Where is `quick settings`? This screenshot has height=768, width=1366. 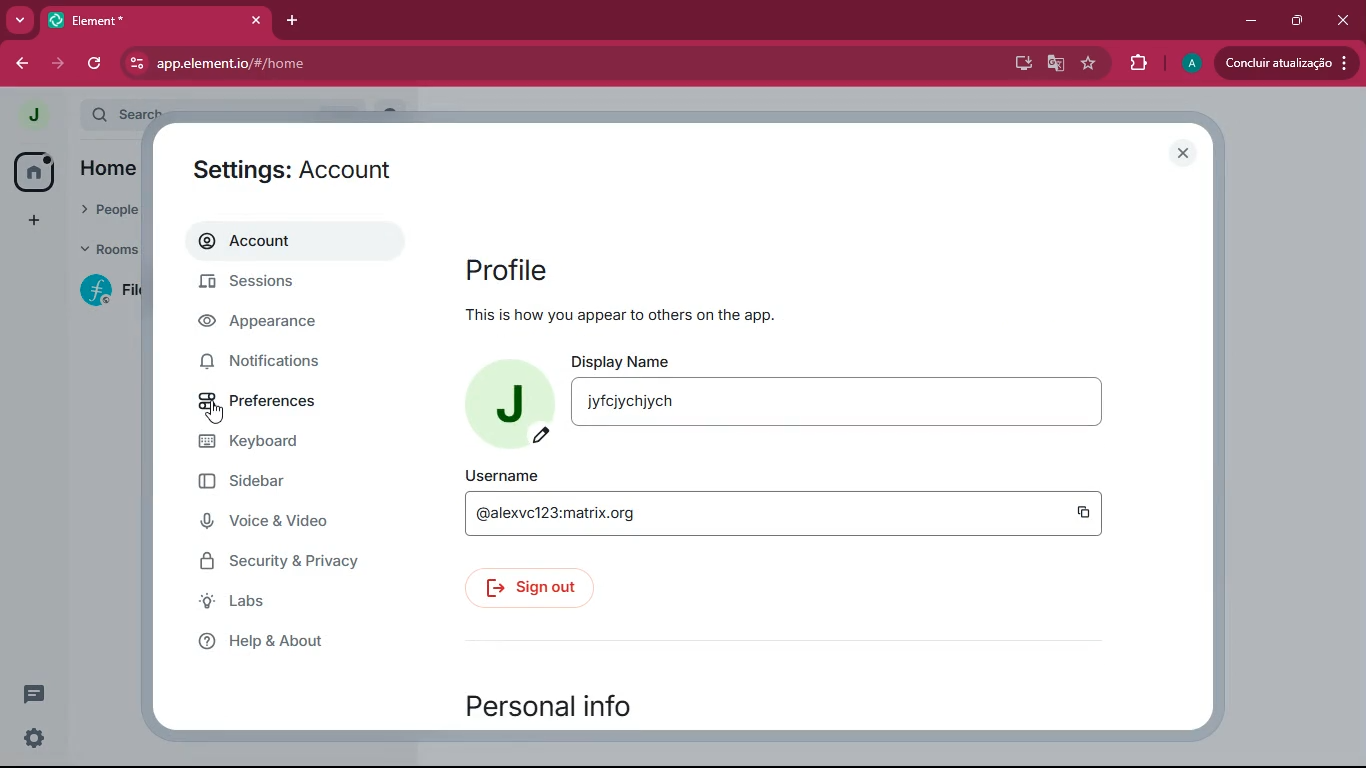
quick settings is located at coordinates (34, 737).